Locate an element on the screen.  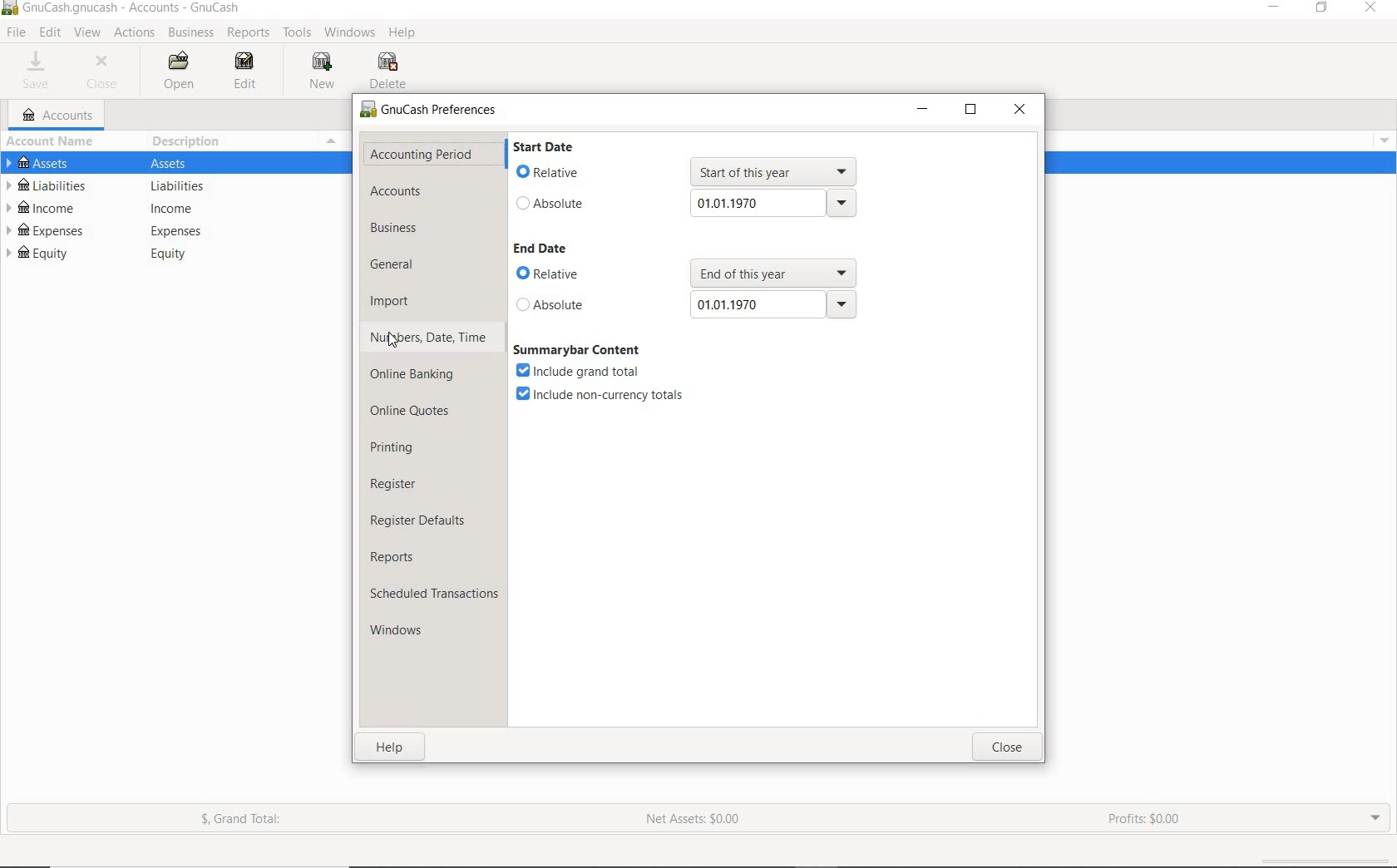
RESTORE DOWN is located at coordinates (1323, 8).